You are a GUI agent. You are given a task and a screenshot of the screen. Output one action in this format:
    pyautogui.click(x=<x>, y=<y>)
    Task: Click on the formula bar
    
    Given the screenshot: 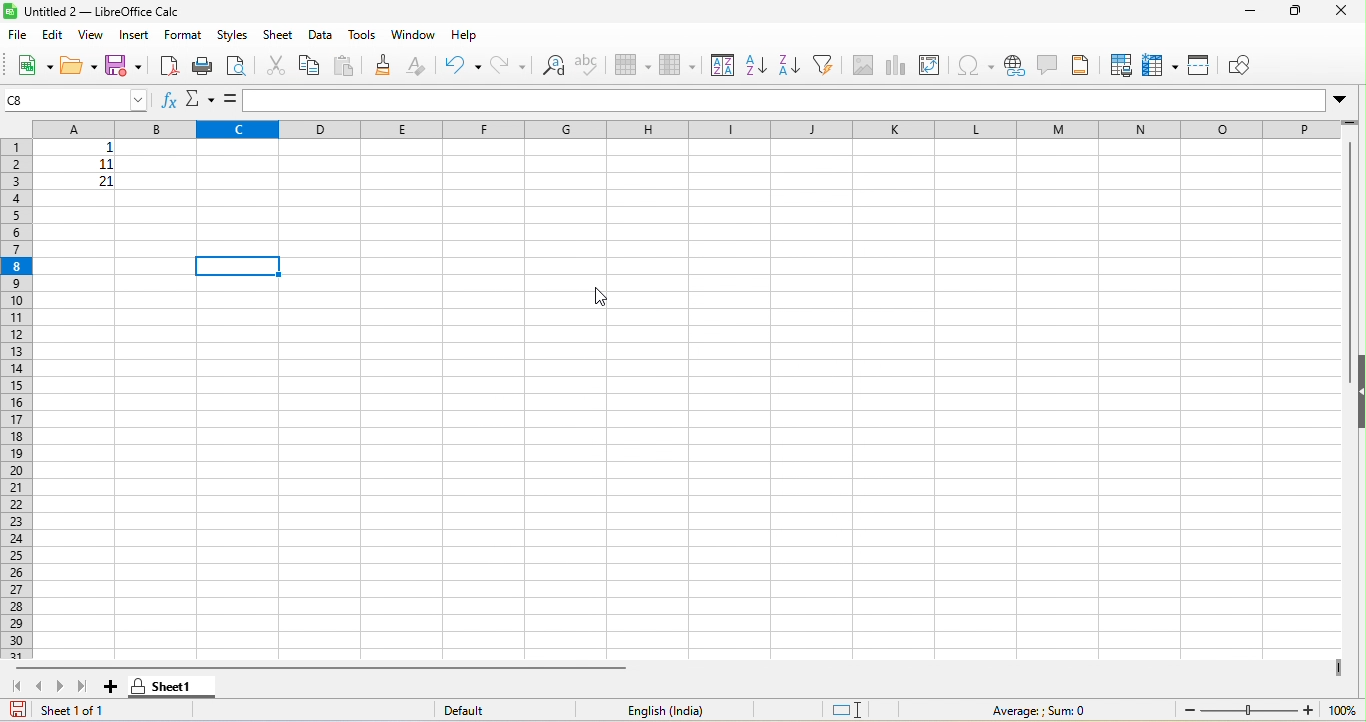 What is the action you would take?
    pyautogui.click(x=797, y=101)
    